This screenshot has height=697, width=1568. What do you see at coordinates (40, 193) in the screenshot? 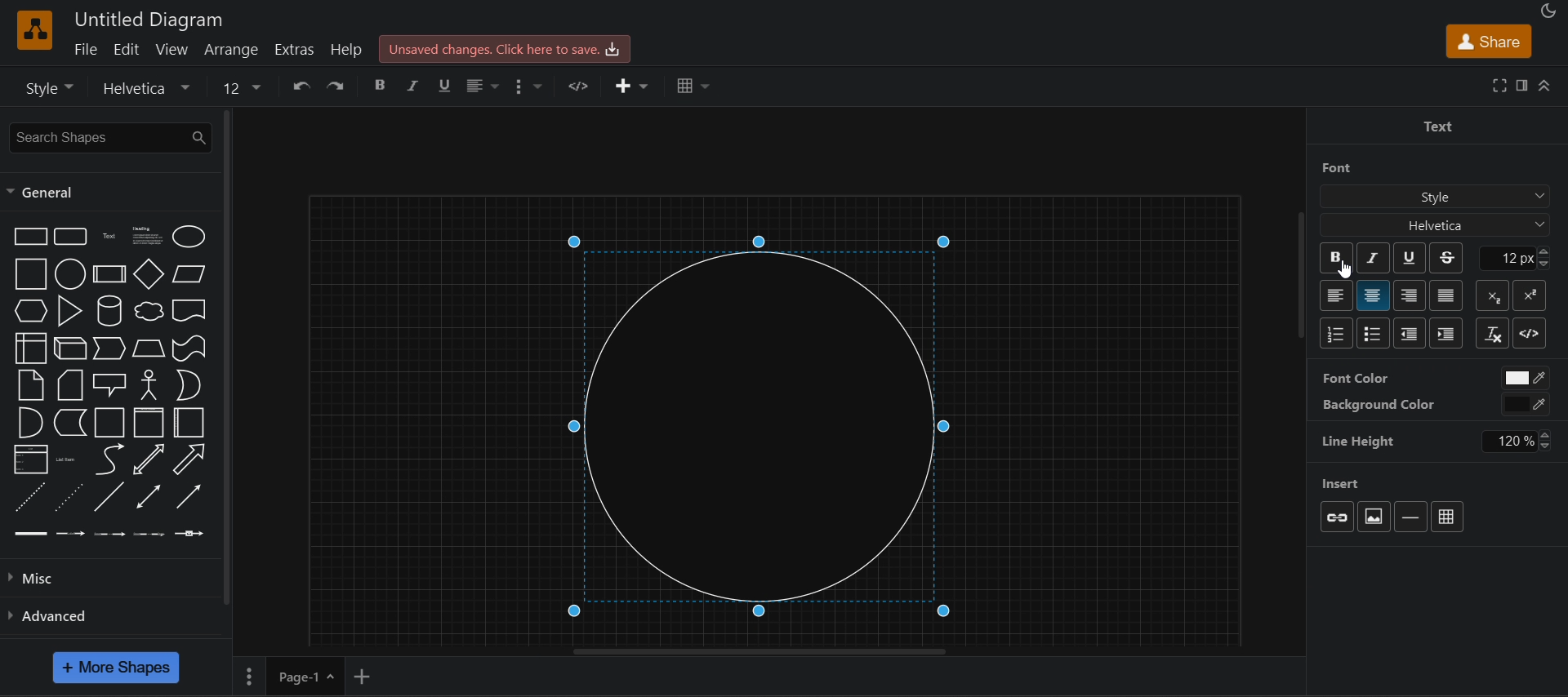
I see `general` at bounding box center [40, 193].